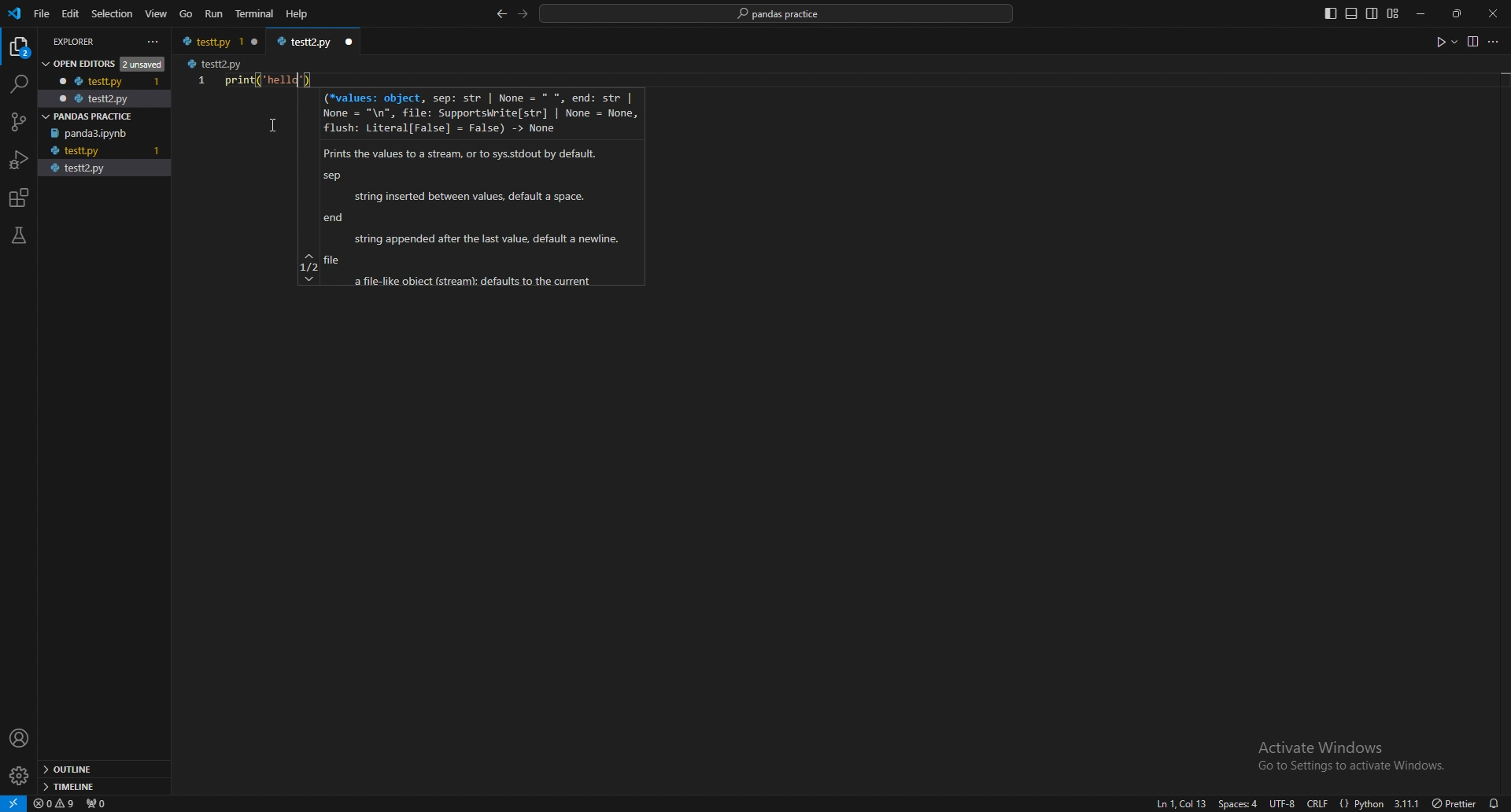  I want to click on file, so click(42, 13).